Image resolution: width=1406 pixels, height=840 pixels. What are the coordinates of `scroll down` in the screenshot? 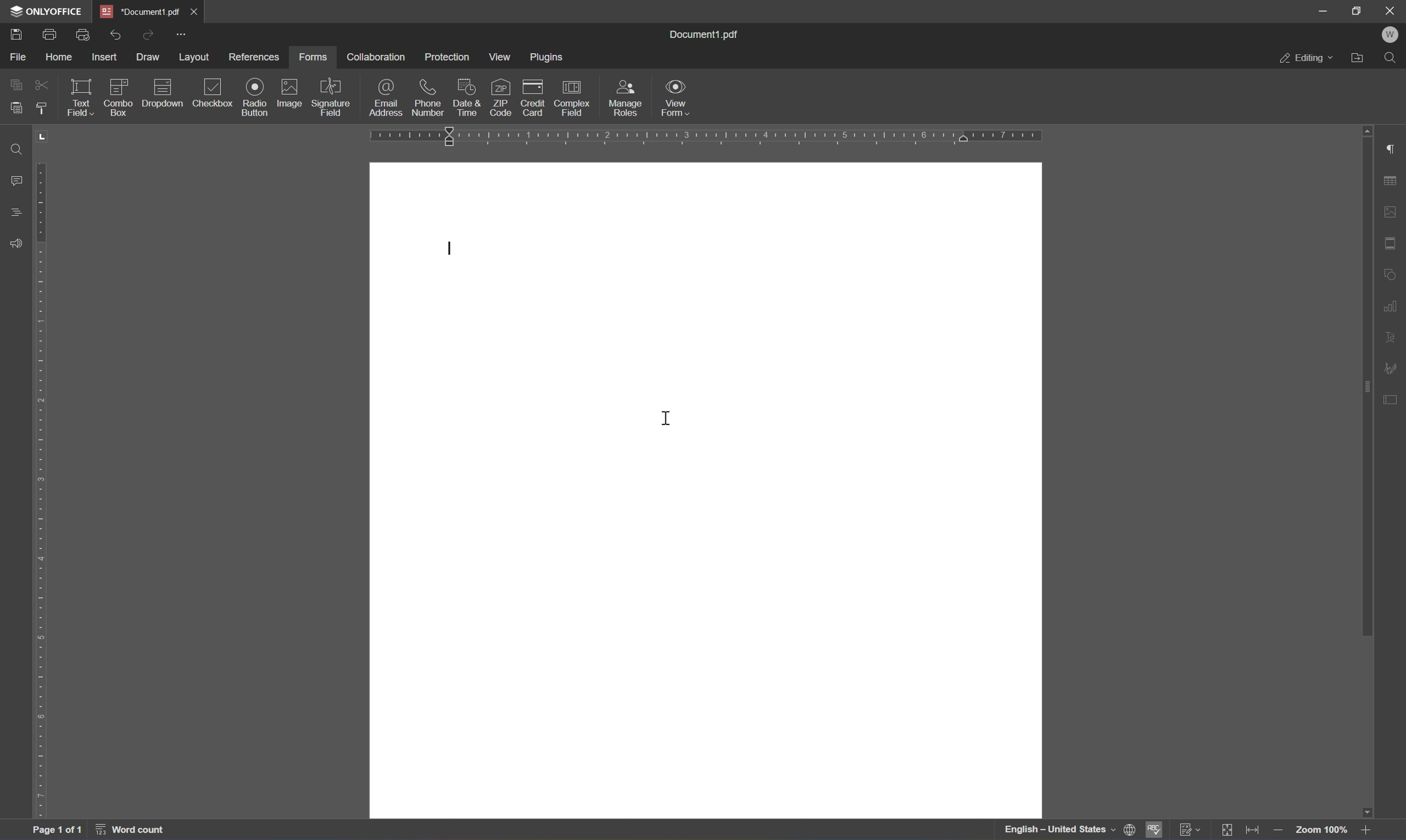 It's located at (1369, 809).